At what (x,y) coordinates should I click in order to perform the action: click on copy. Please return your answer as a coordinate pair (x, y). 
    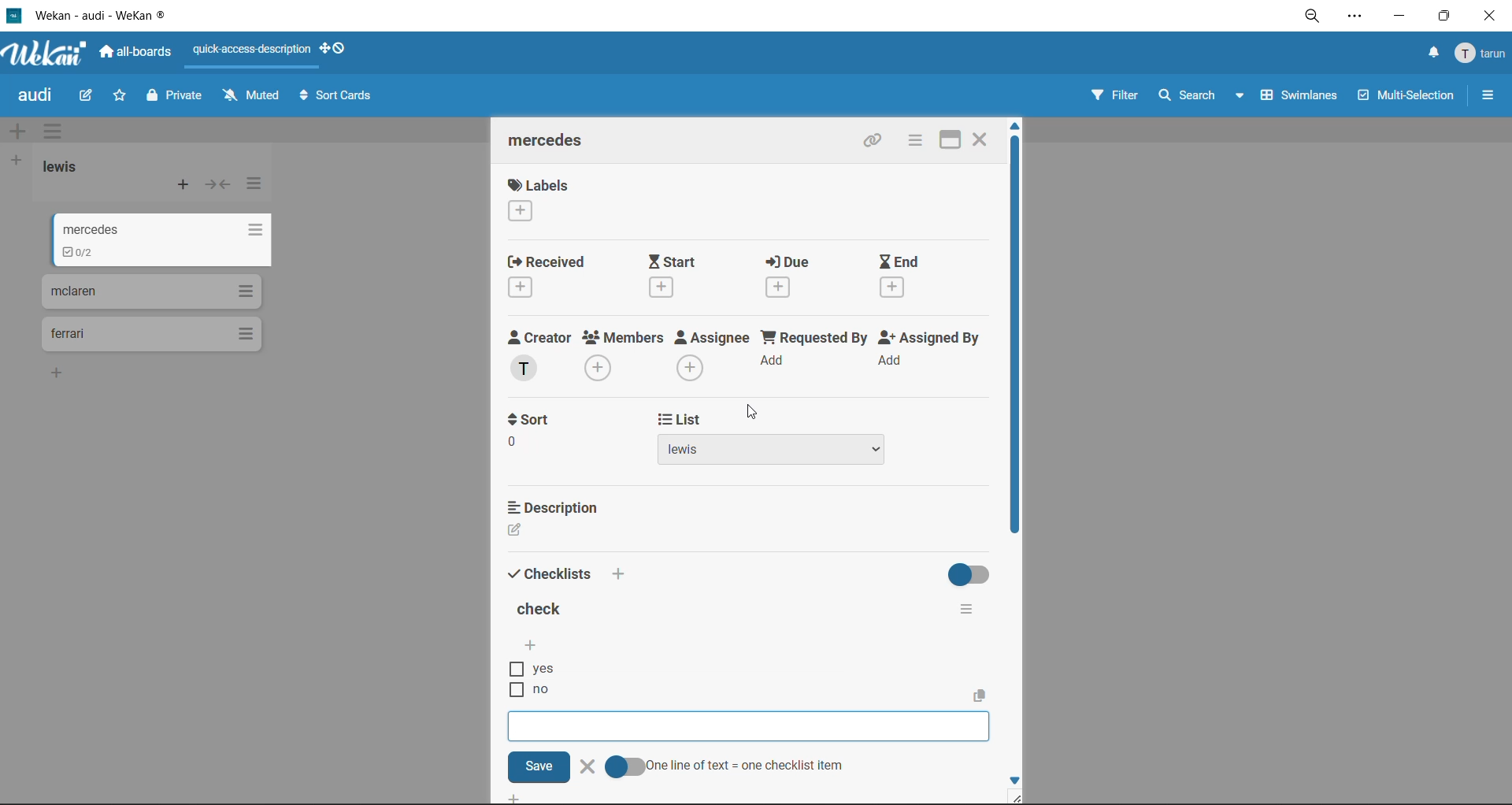
    Looking at the image, I should click on (983, 695).